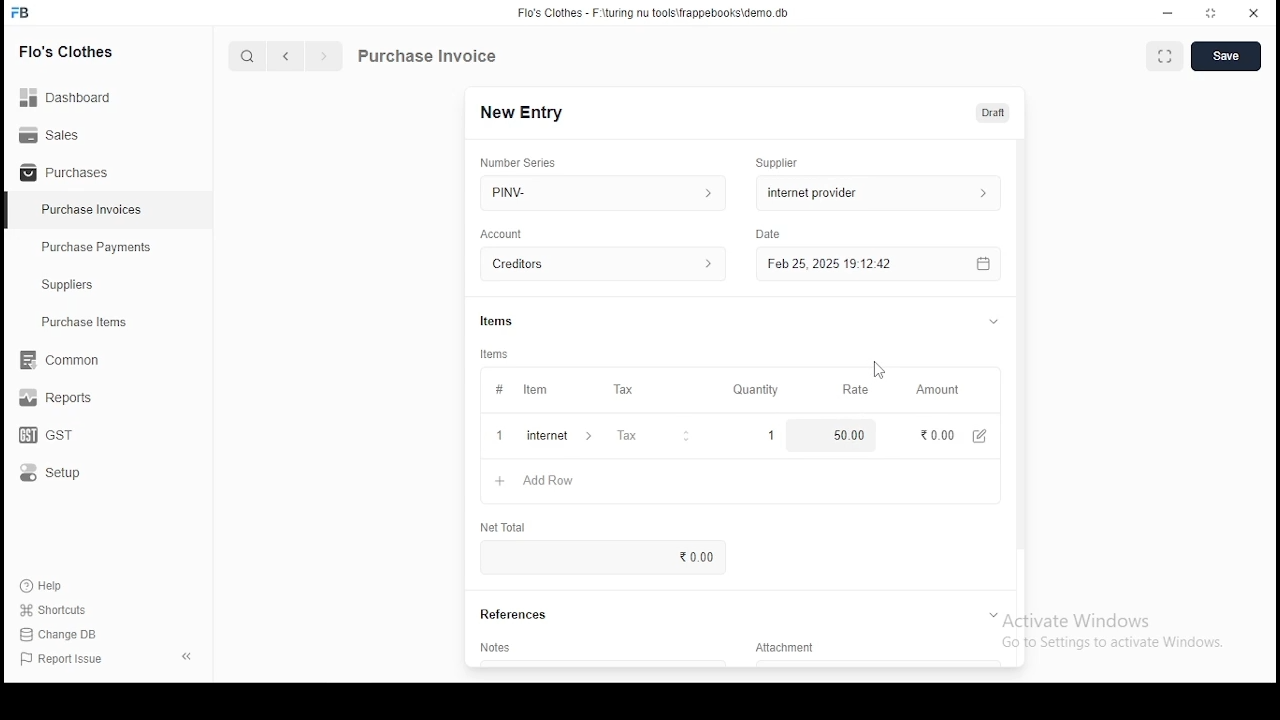 Image resolution: width=1280 pixels, height=720 pixels. I want to click on next, so click(324, 58).